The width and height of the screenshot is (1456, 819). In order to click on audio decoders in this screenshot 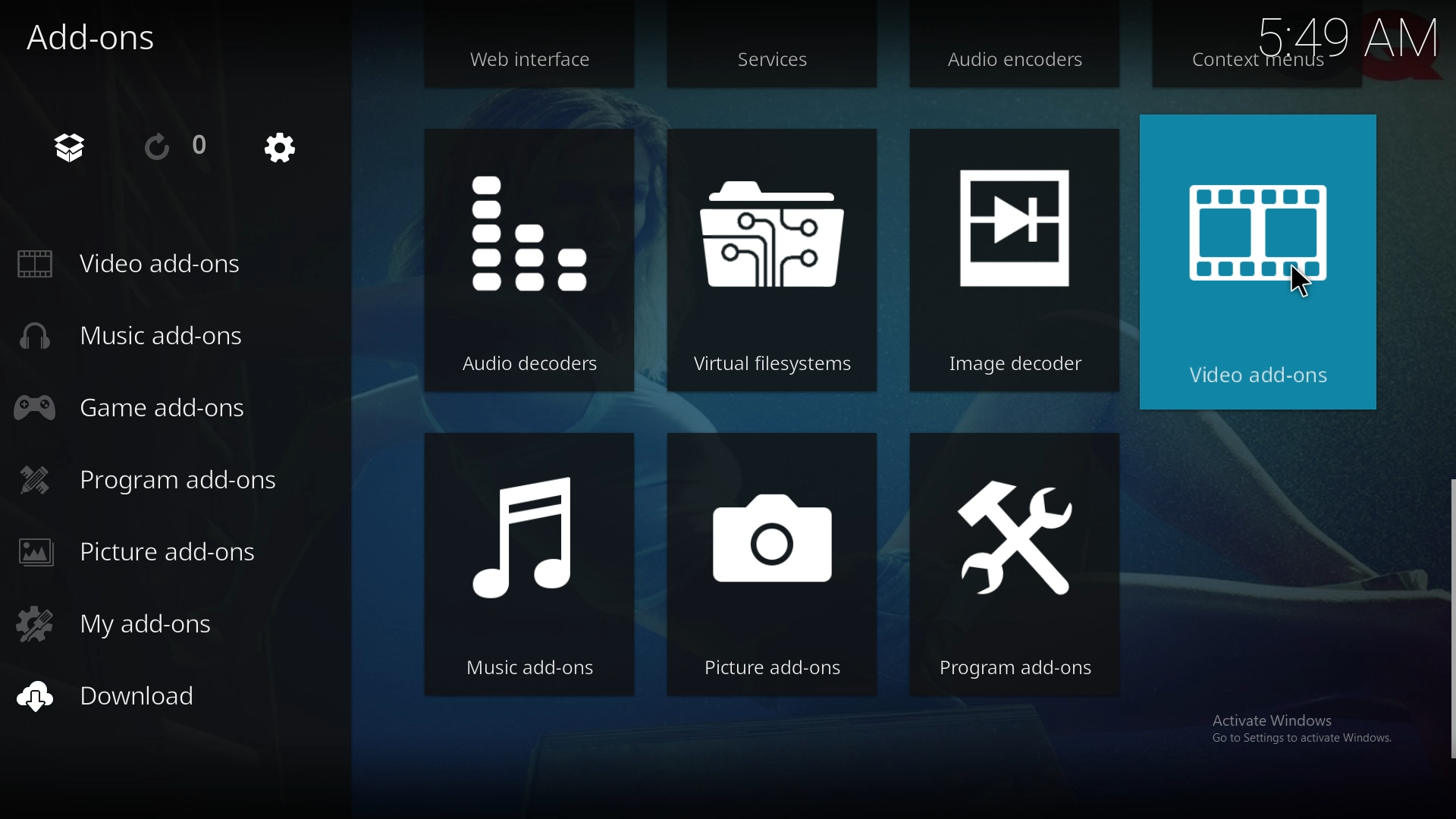, I will do `click(533, 258)`.